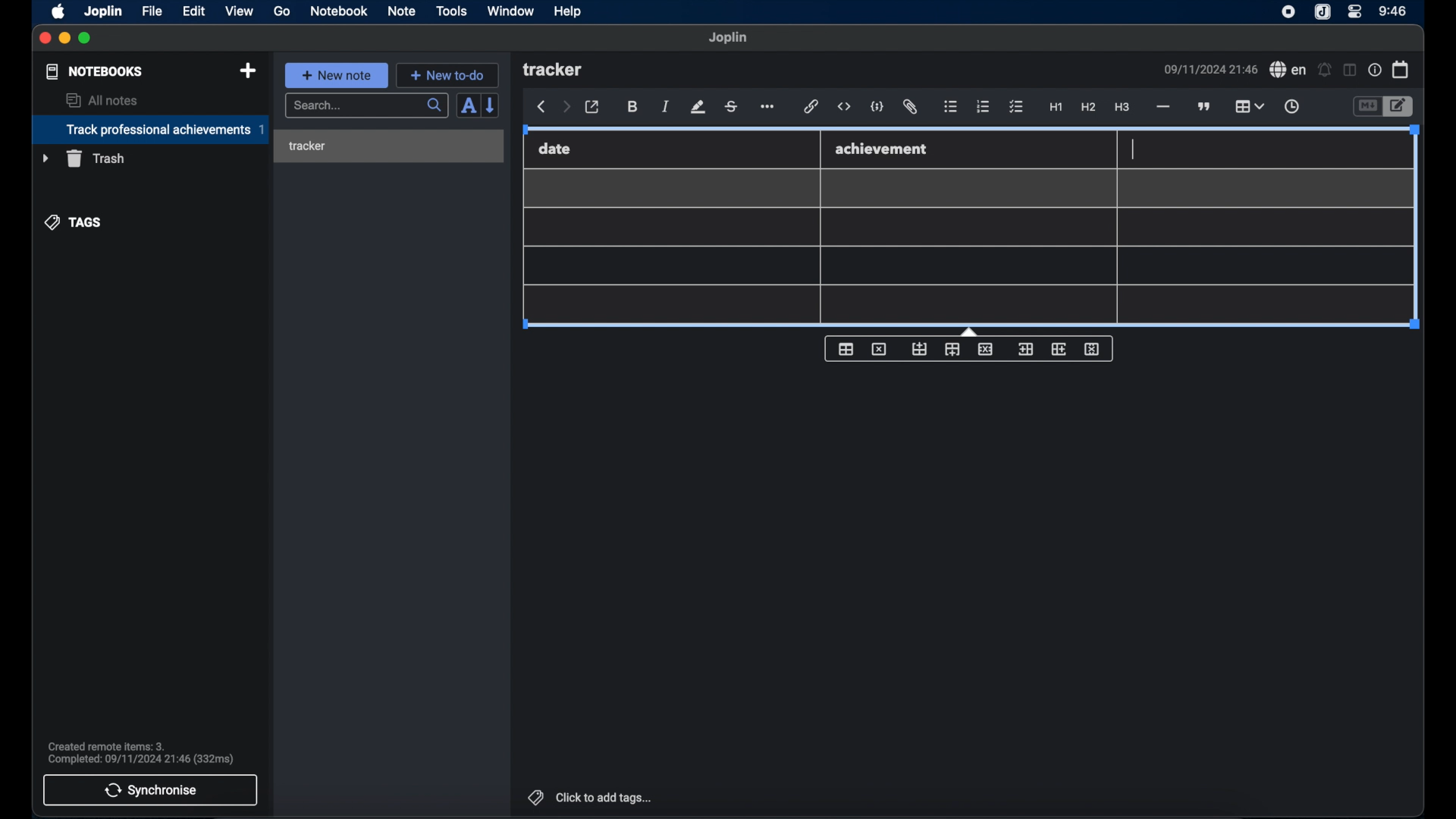 The height and width of the screenshot is (819, 1456). I want to click on code, so click(878, 106).